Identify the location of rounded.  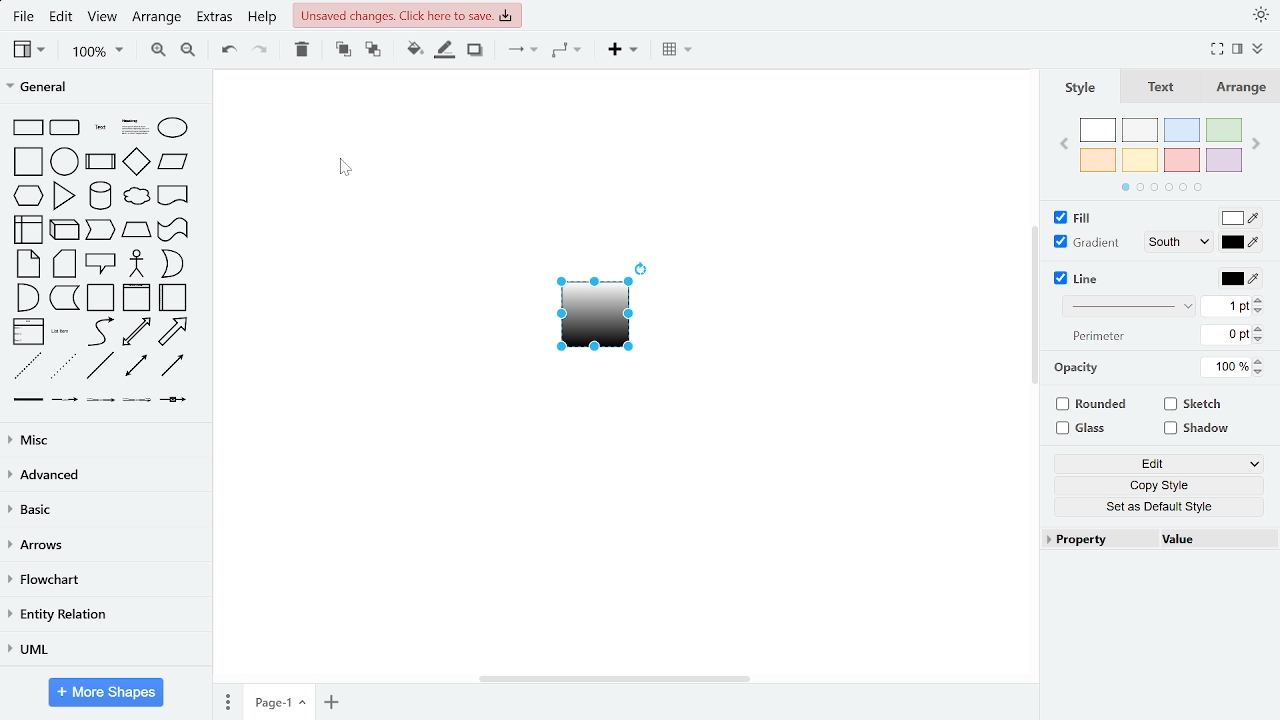
(1092, 405).